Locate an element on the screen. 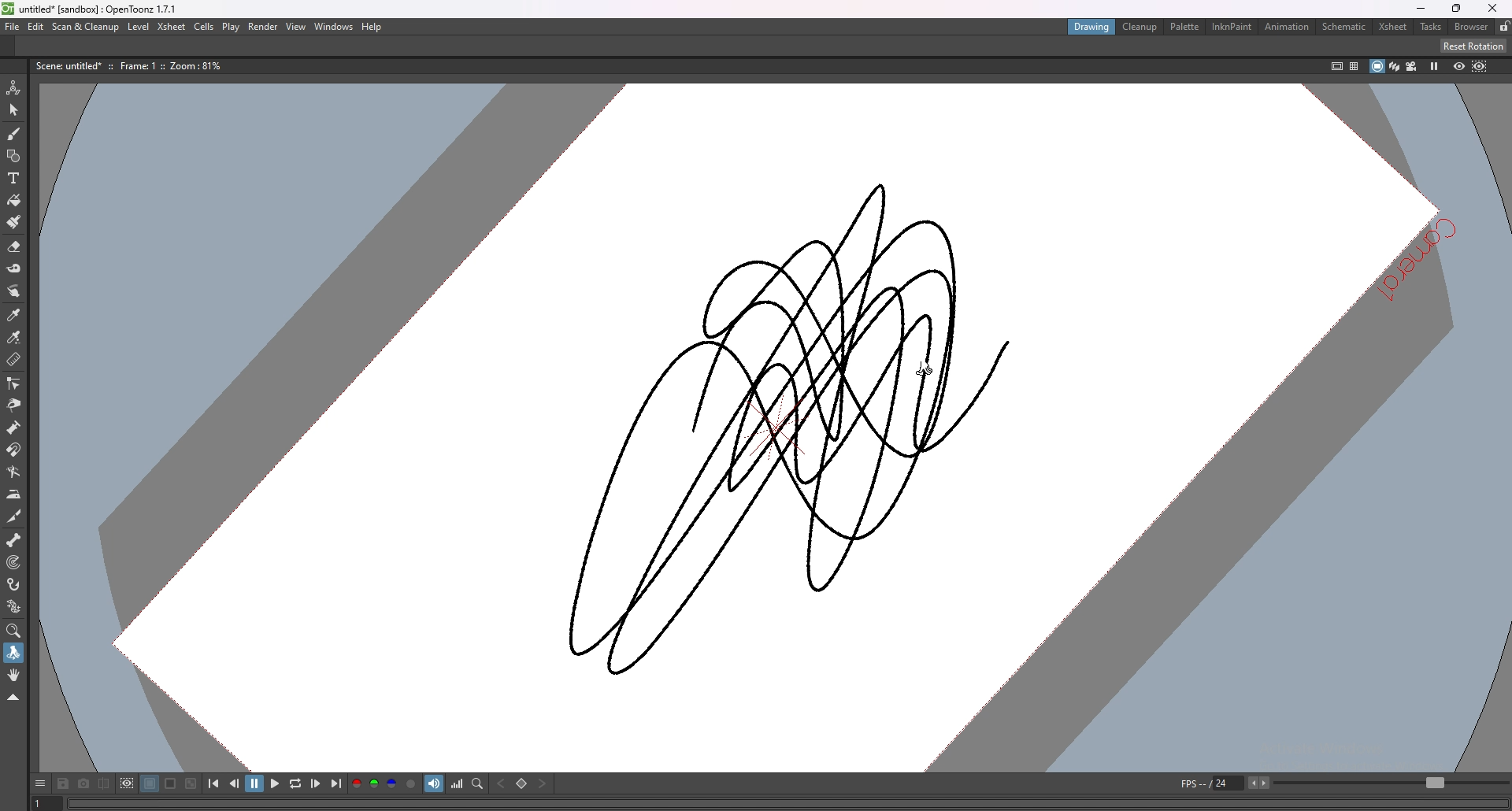  animate tool is located at coordinates (13, 88).